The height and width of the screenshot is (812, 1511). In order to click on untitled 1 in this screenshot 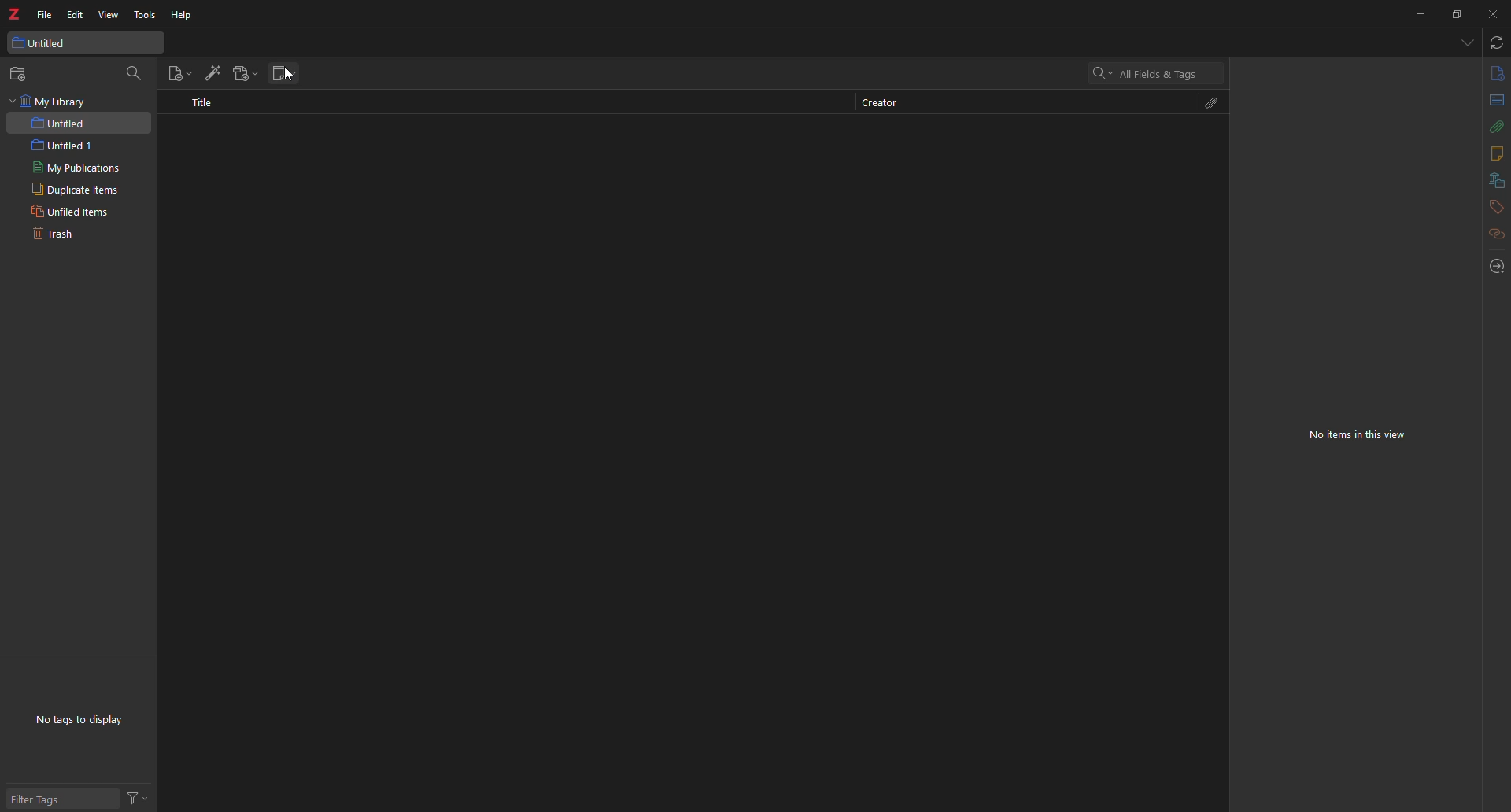, I will do `click(71, 145)`.